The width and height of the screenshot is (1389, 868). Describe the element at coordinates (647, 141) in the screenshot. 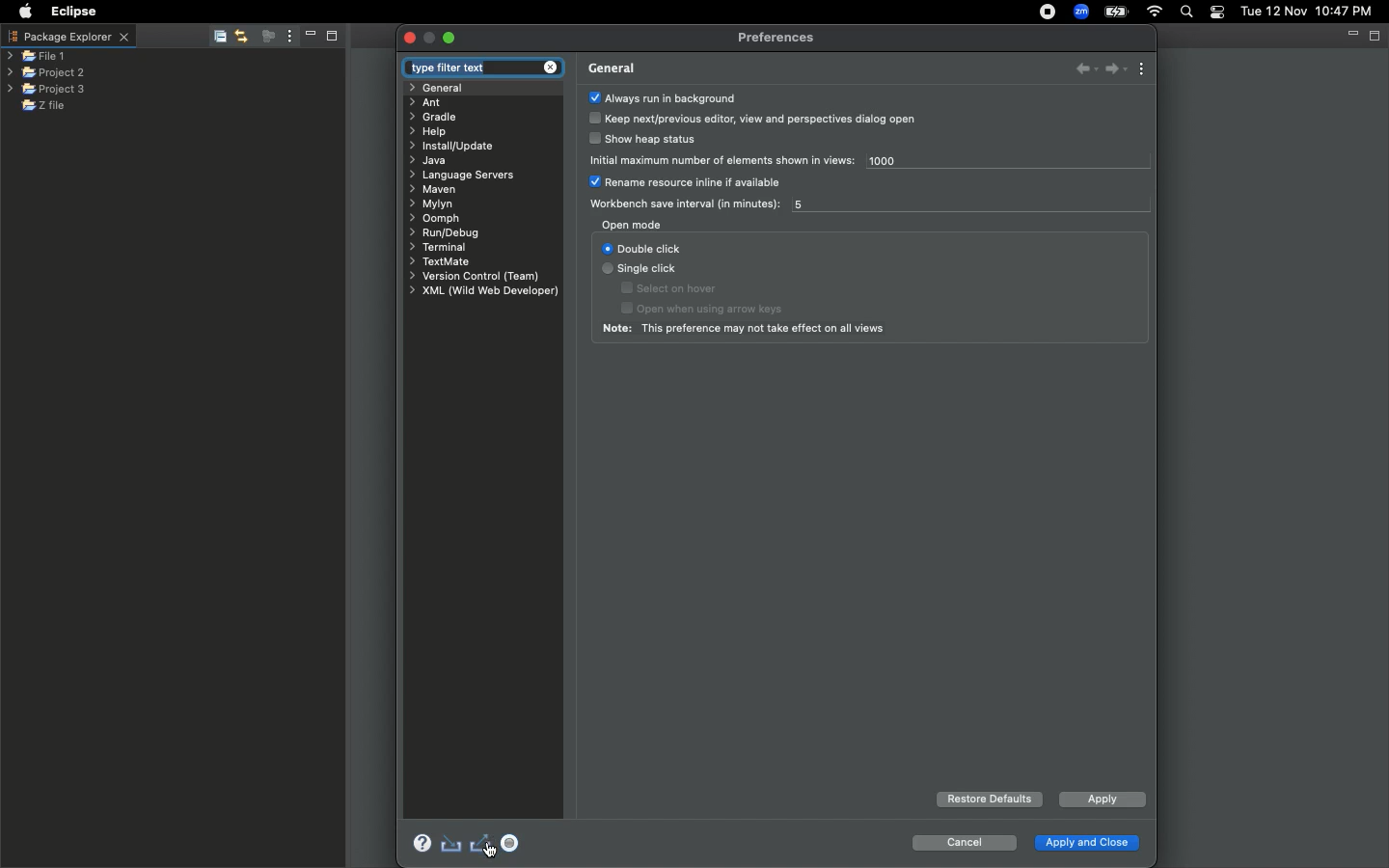

I see `Show heap status` at that location.